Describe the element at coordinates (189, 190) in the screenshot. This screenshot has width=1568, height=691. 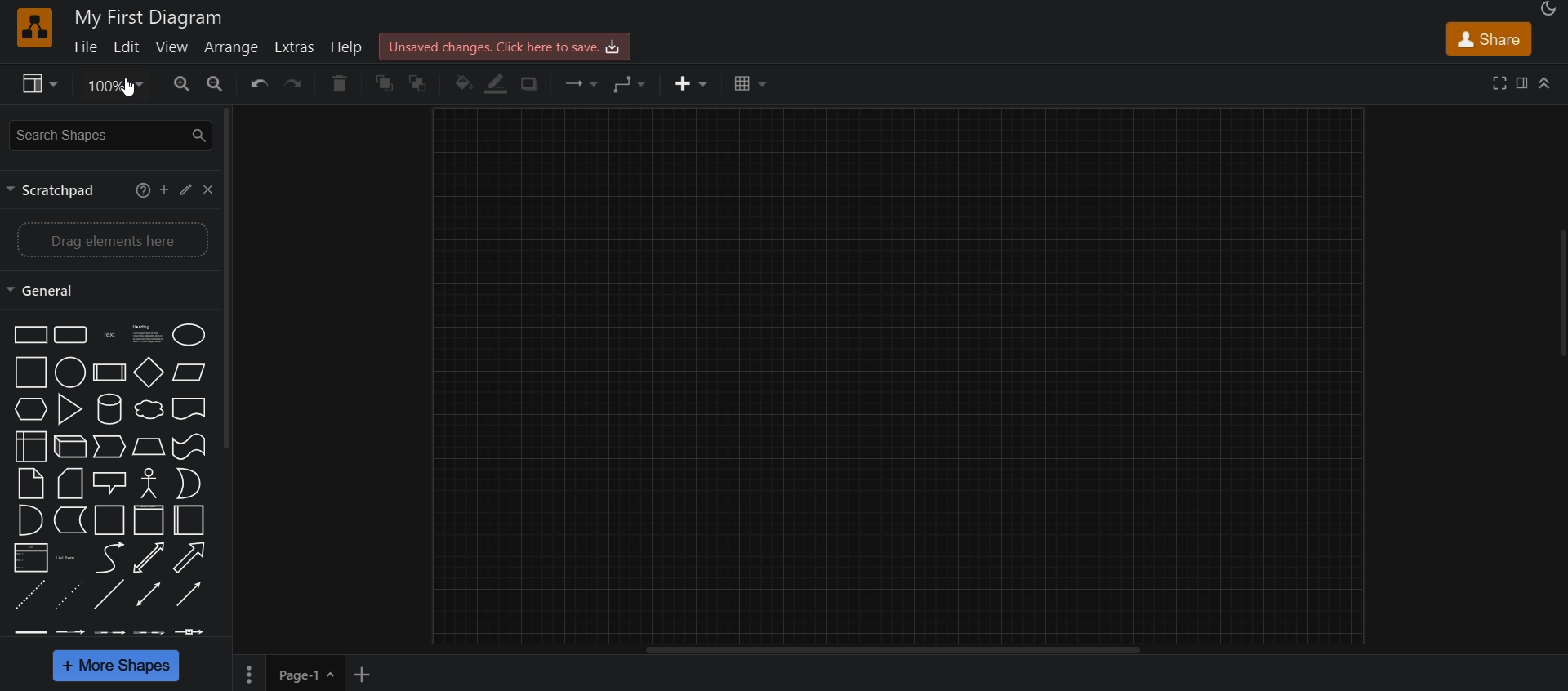
I see `edit` at that location.